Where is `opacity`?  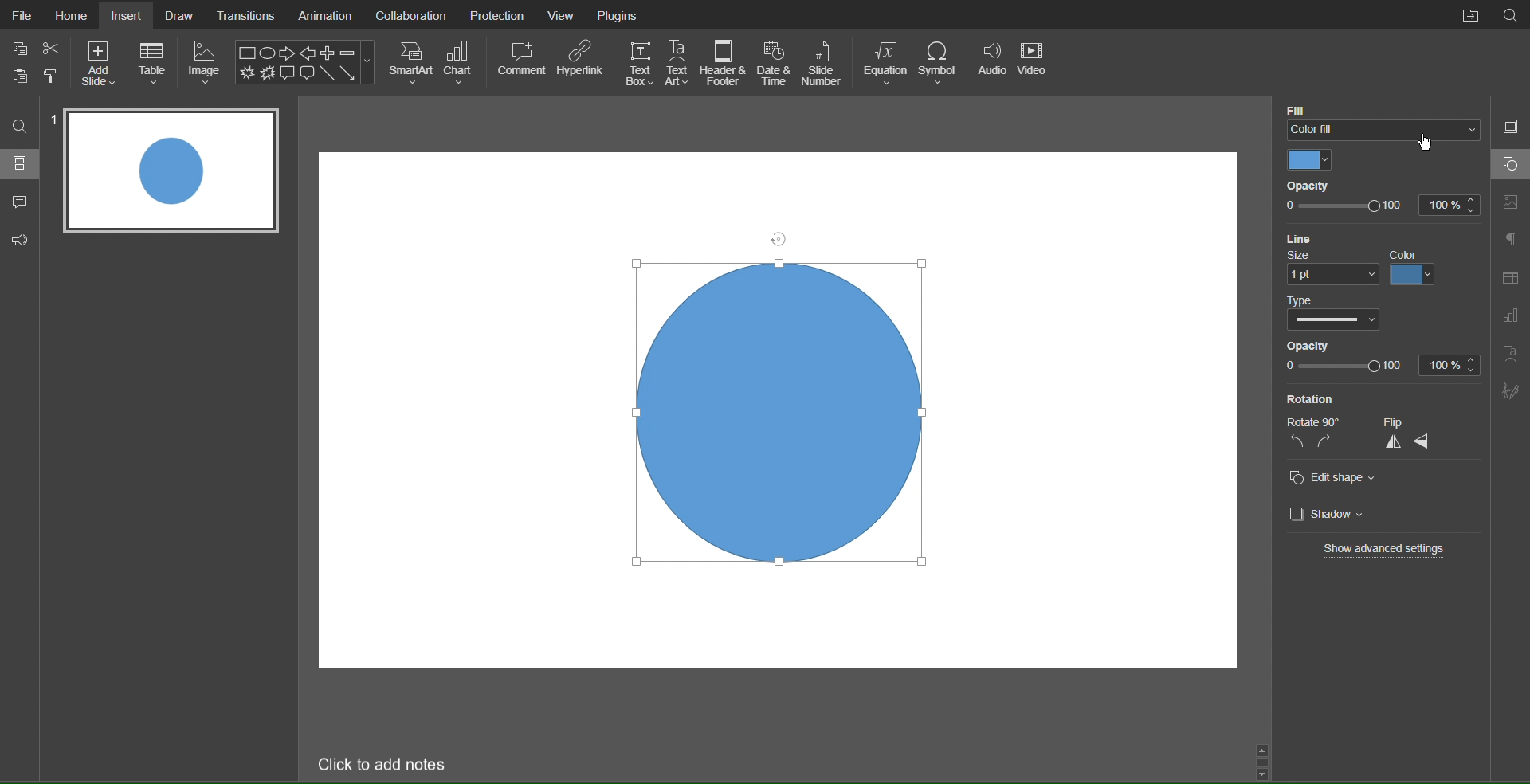
opacity is located at coordinates (1315, 346).